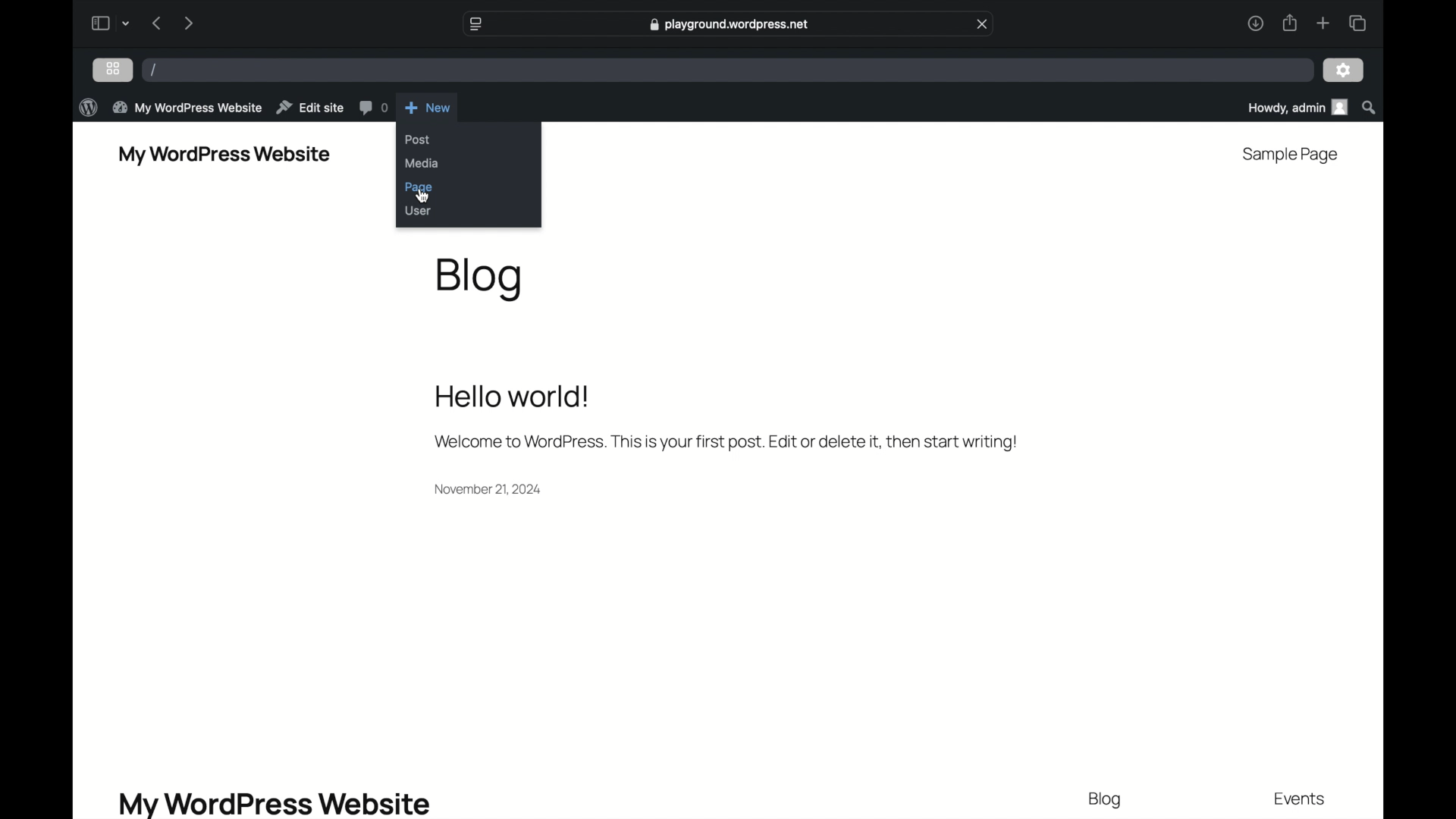  What do you see at coordinates (428, 107) in the screenshot?
I see `new` at bounding box center [428, 107].